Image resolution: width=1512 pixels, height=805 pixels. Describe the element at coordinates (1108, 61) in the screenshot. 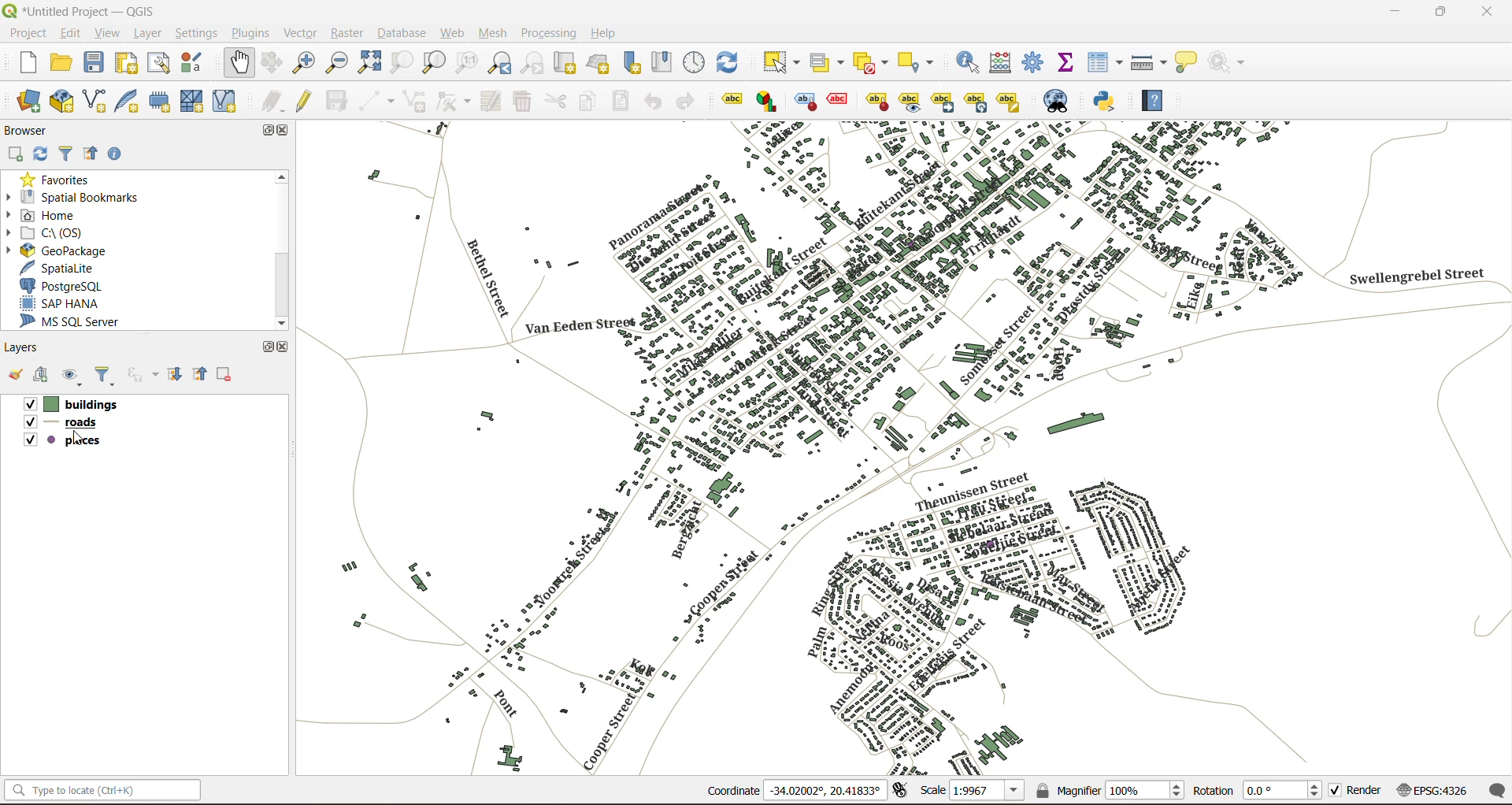

I see `attributes table` at that location.